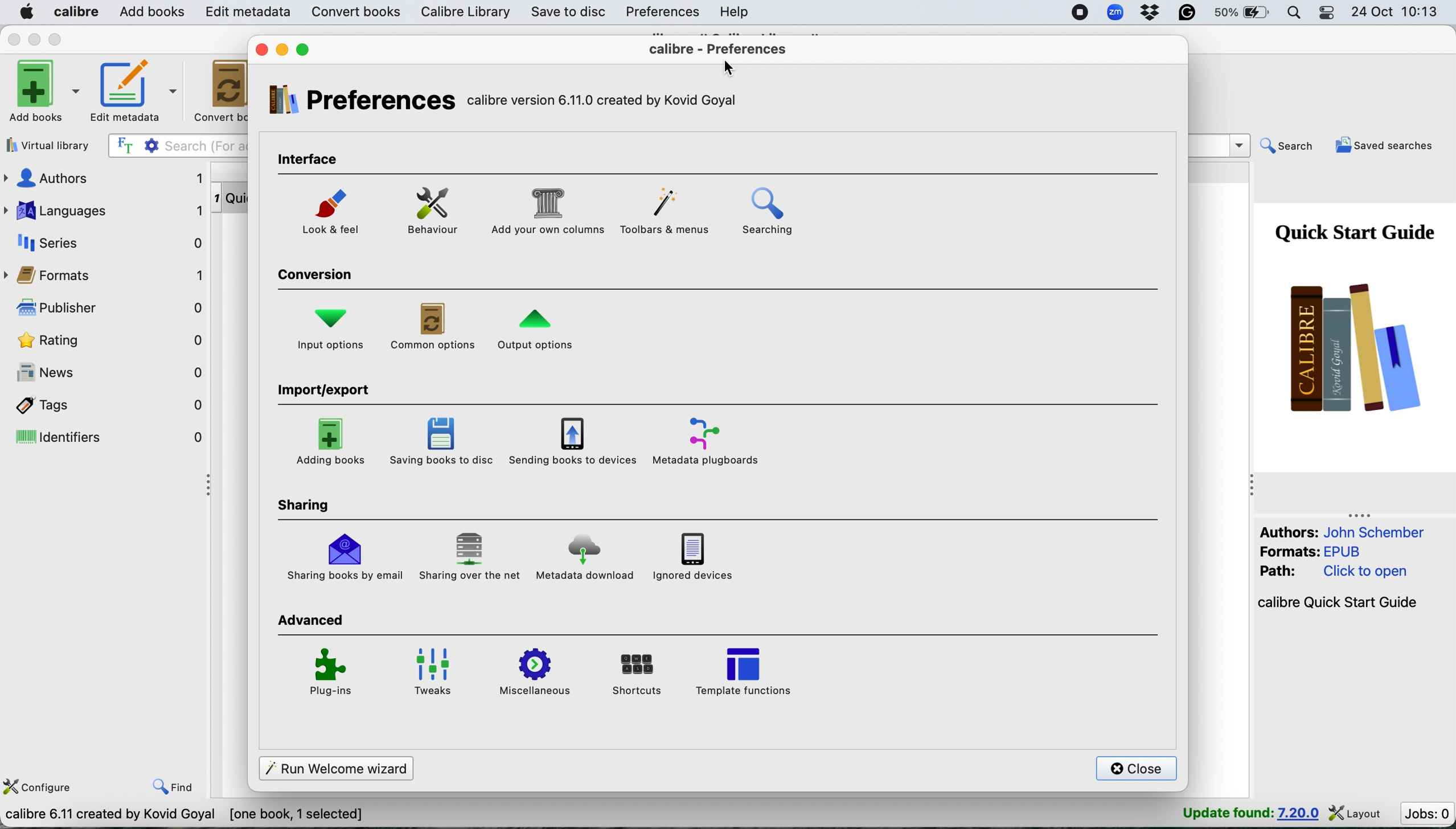 The width and height of the screenshot is (1456, 829). I want to click on tweaks, so click(425, 672).